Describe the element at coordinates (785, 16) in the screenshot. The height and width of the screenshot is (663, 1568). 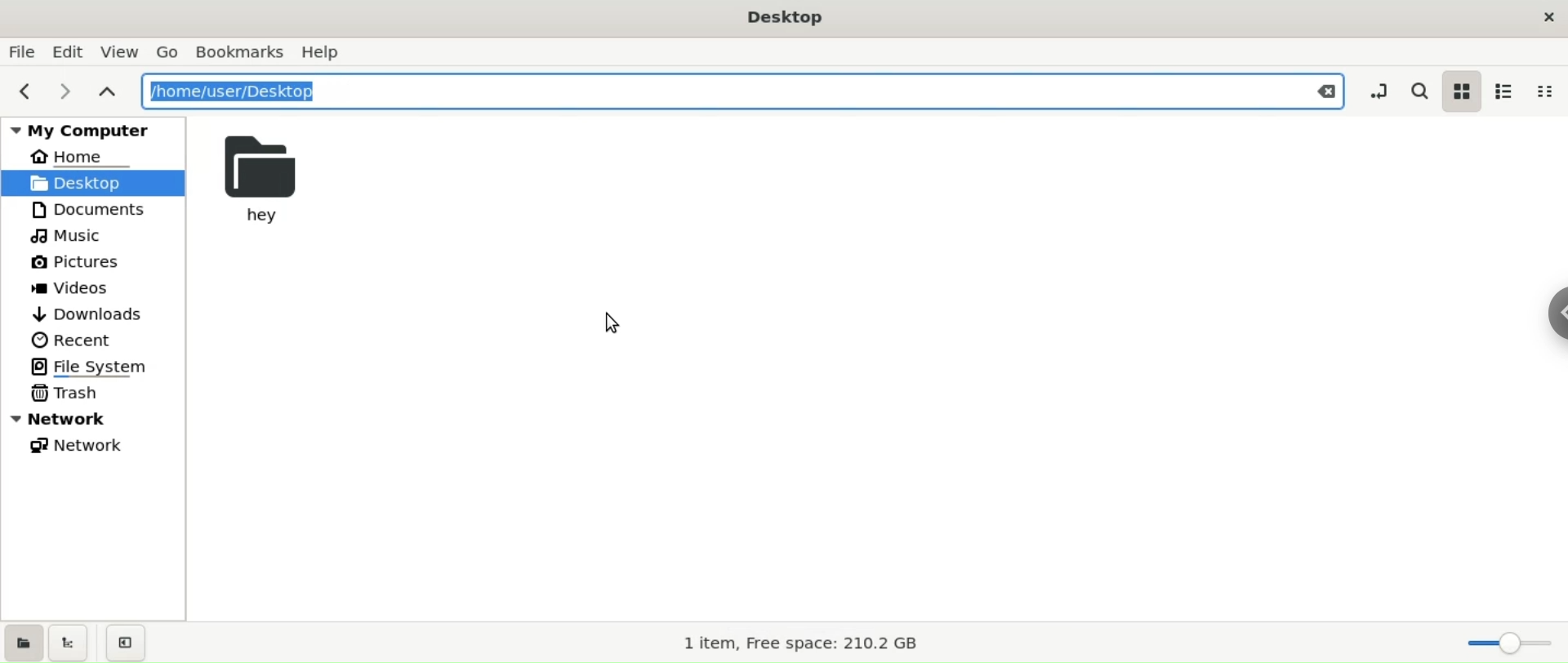
I see `desktop` at that location.